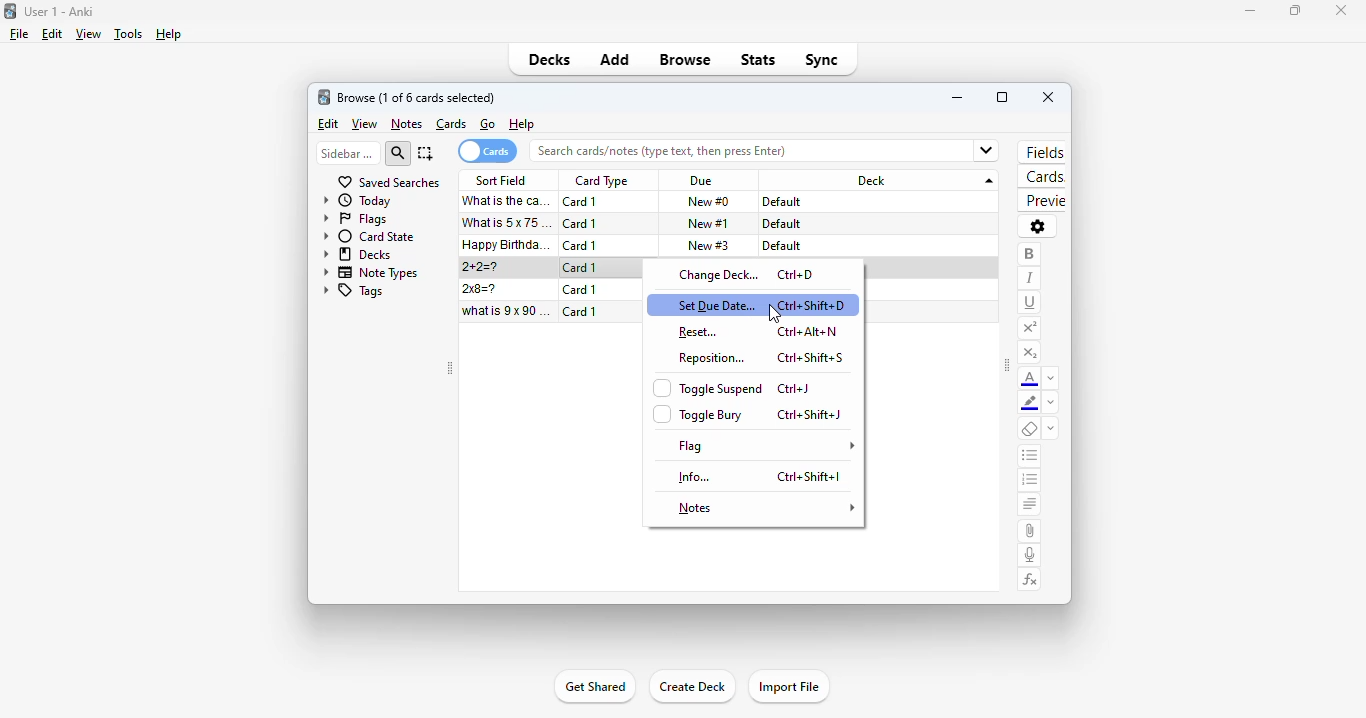 The width and height of the screenshot is (1366, 718). I want to click on select formatting to remove, so click(1051, 430).